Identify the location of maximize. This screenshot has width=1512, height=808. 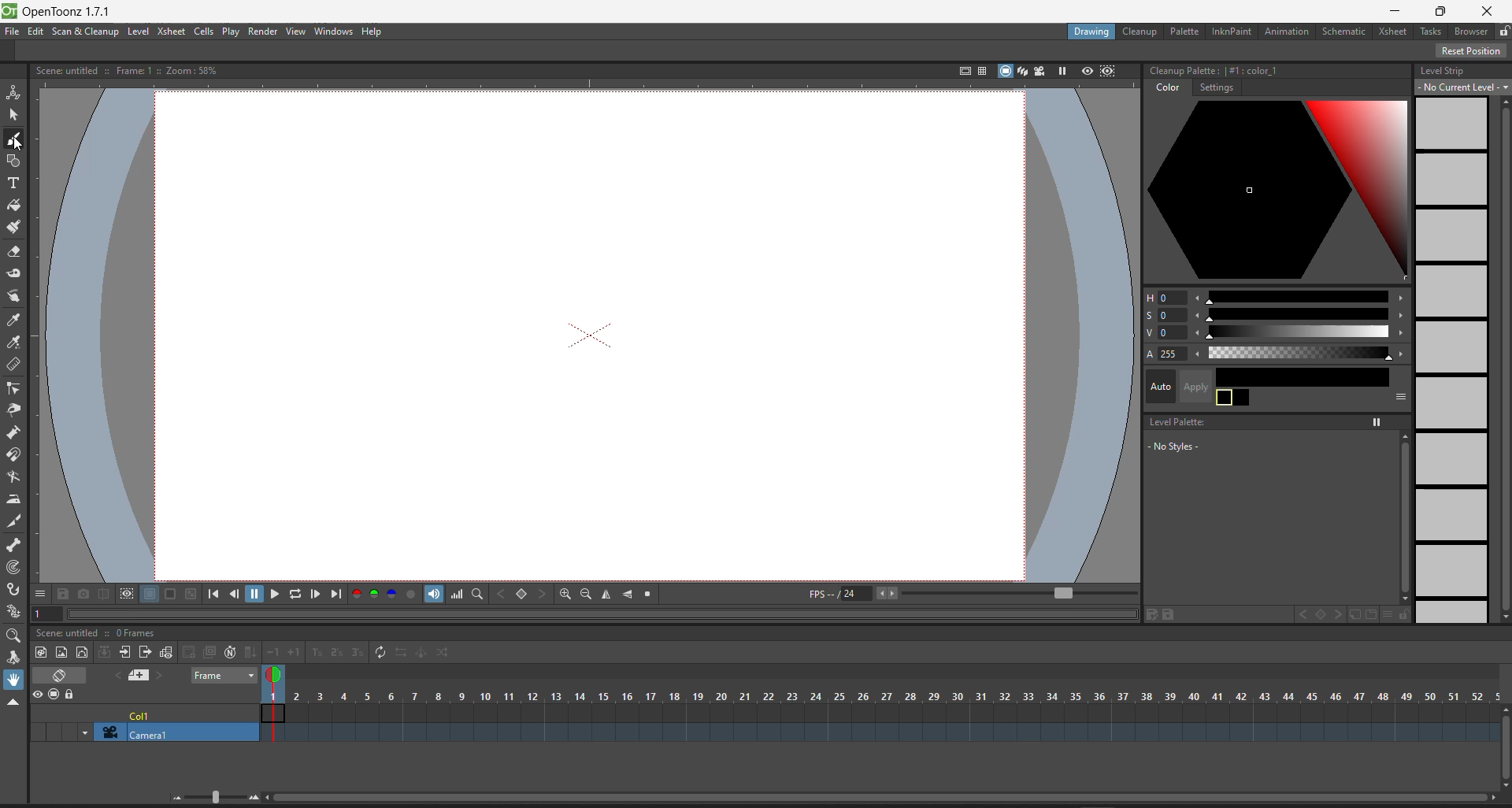
(1441, 13).